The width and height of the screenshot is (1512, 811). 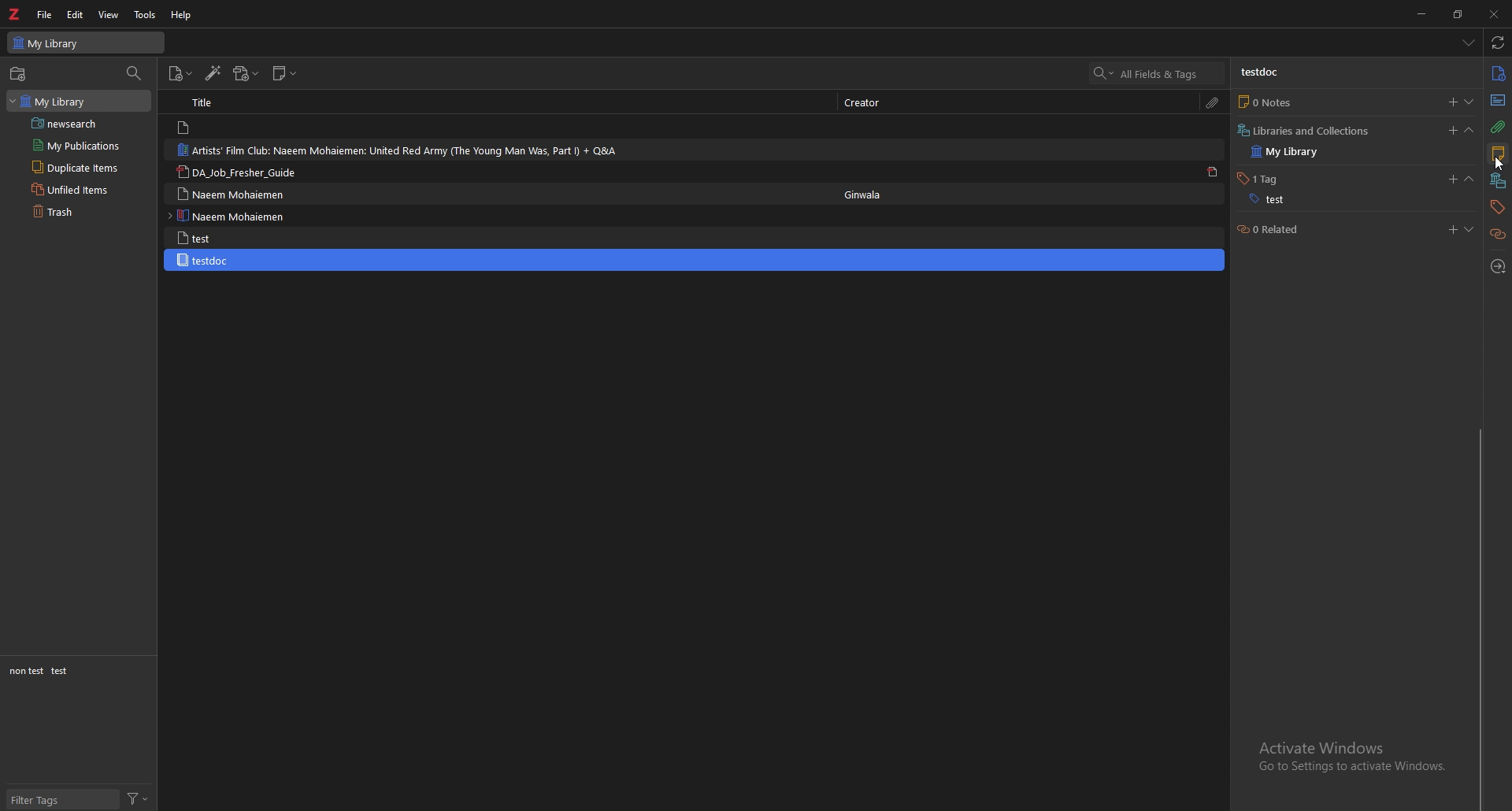 I want to click on help, so click(x=183, y=15).